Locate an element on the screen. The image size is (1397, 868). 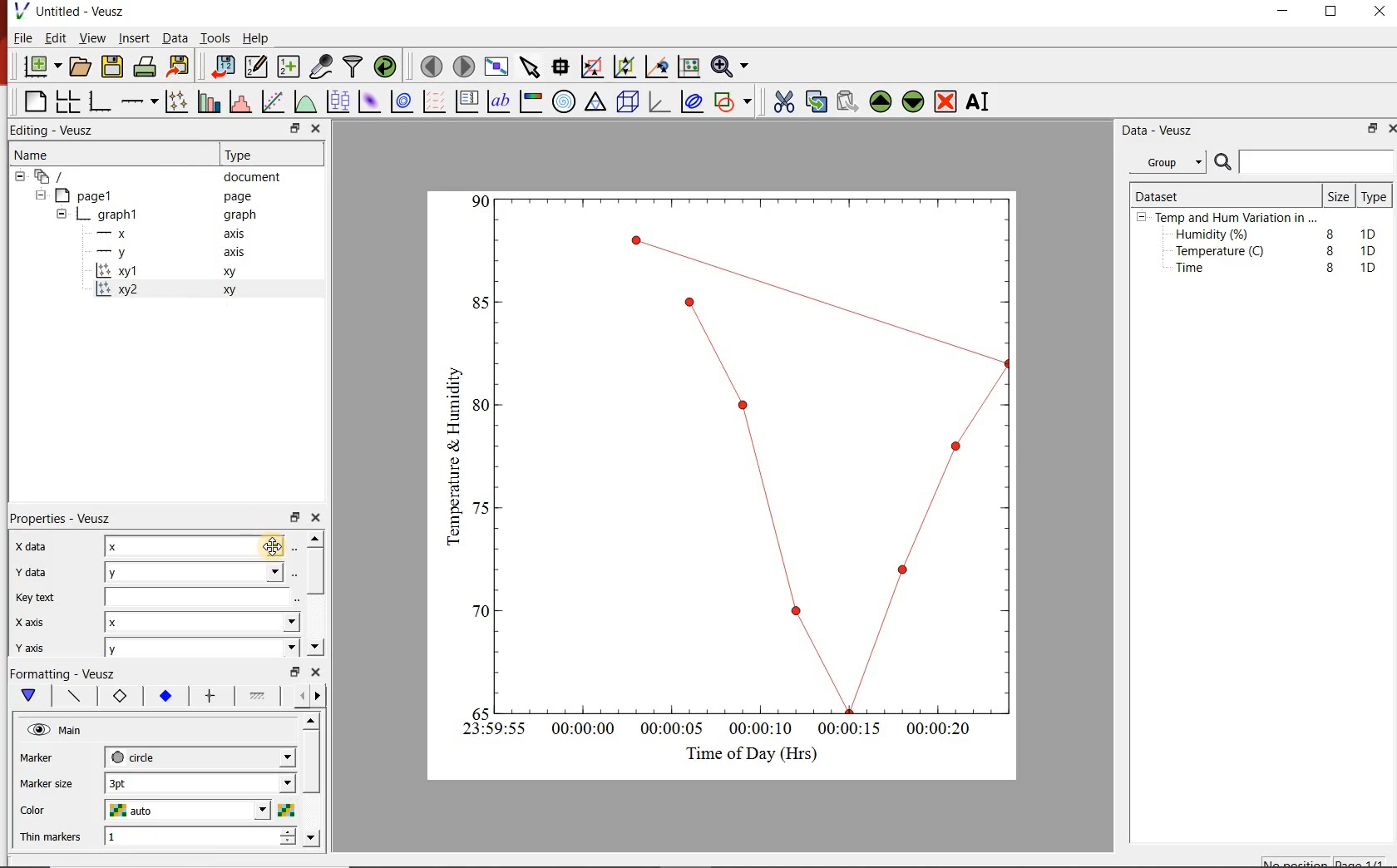
Search bar is located at coordinates (1304, 162).